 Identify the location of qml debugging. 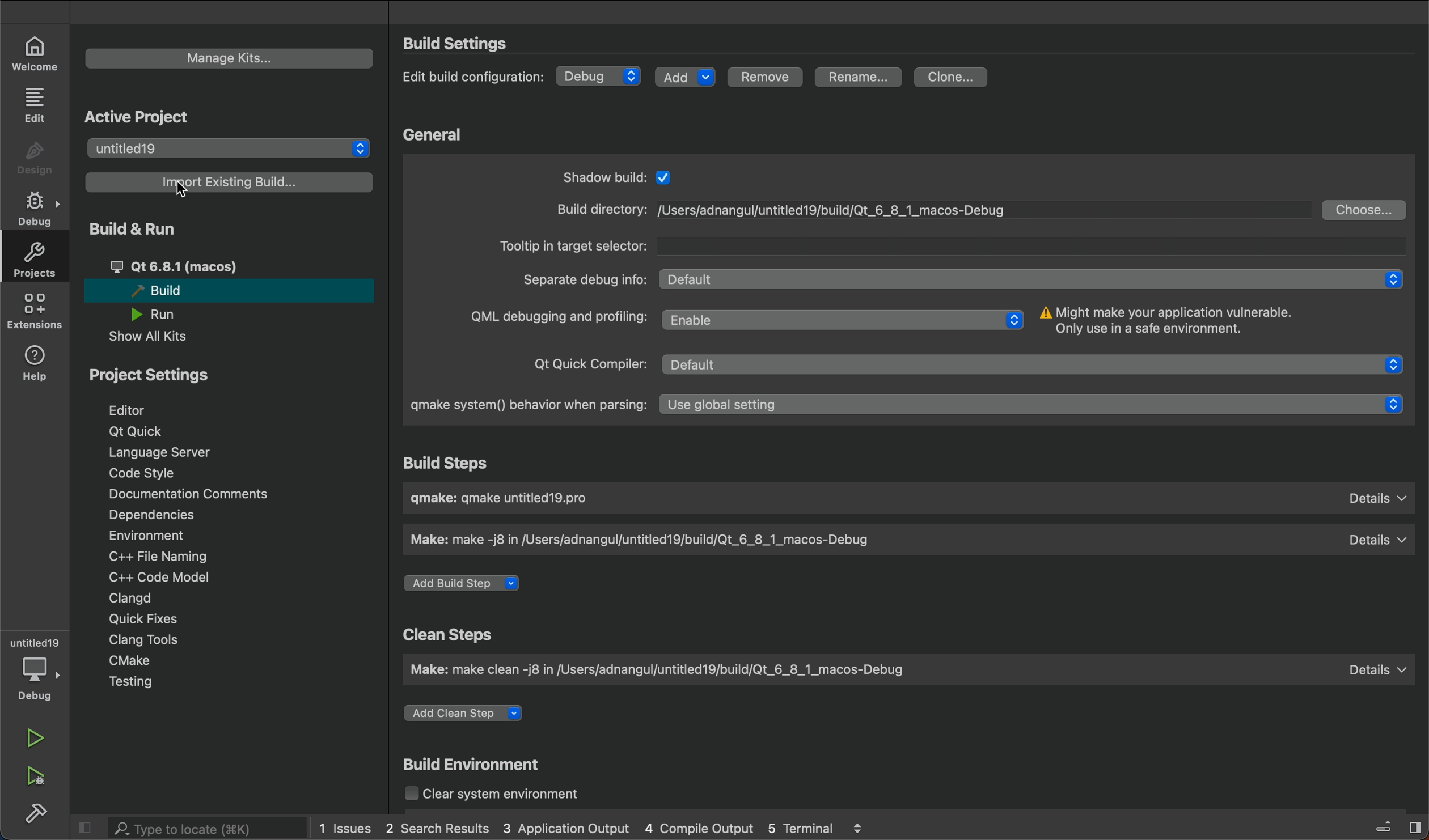
(742, 319).